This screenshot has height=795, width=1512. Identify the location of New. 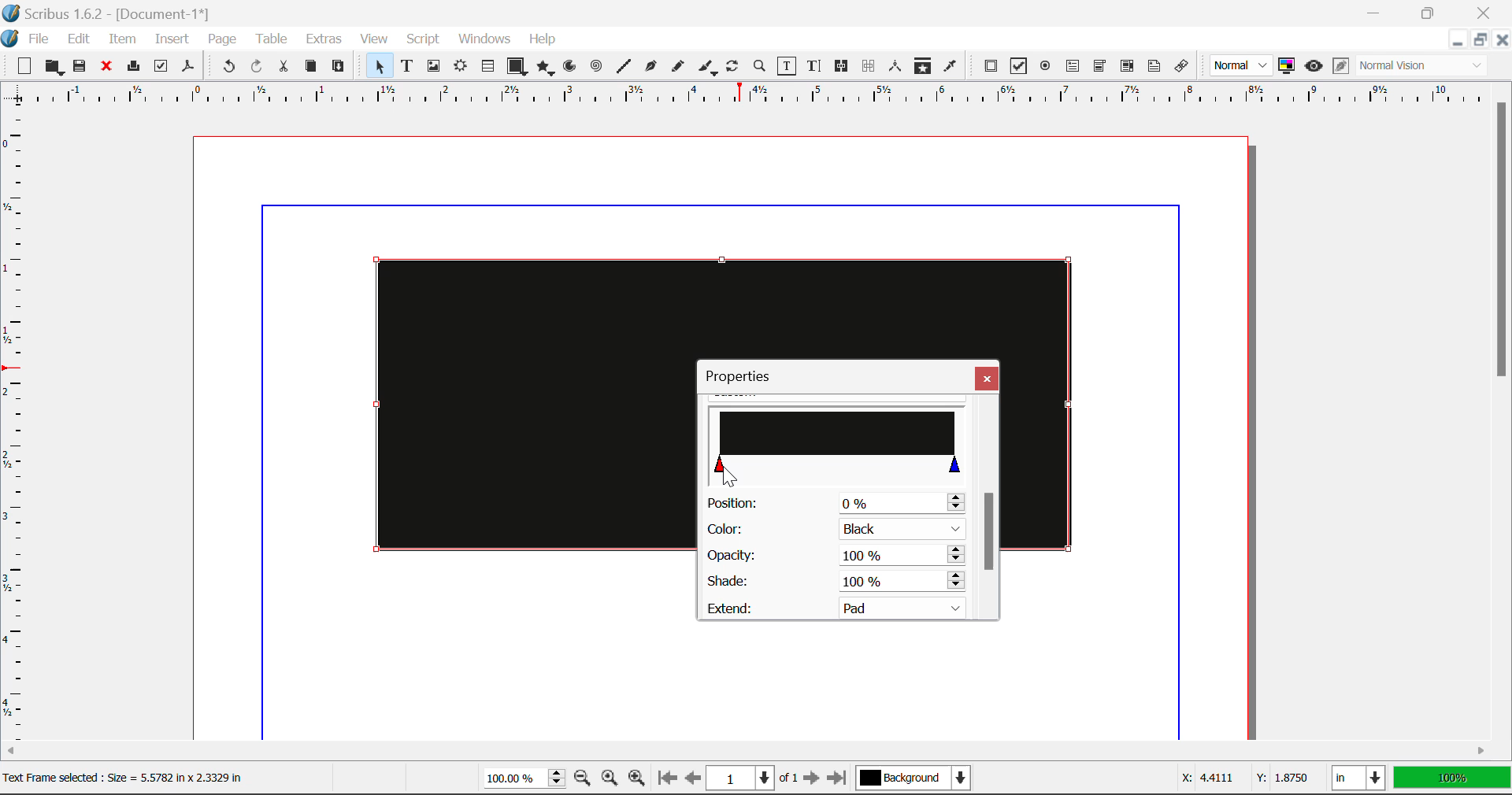
(20, 67).